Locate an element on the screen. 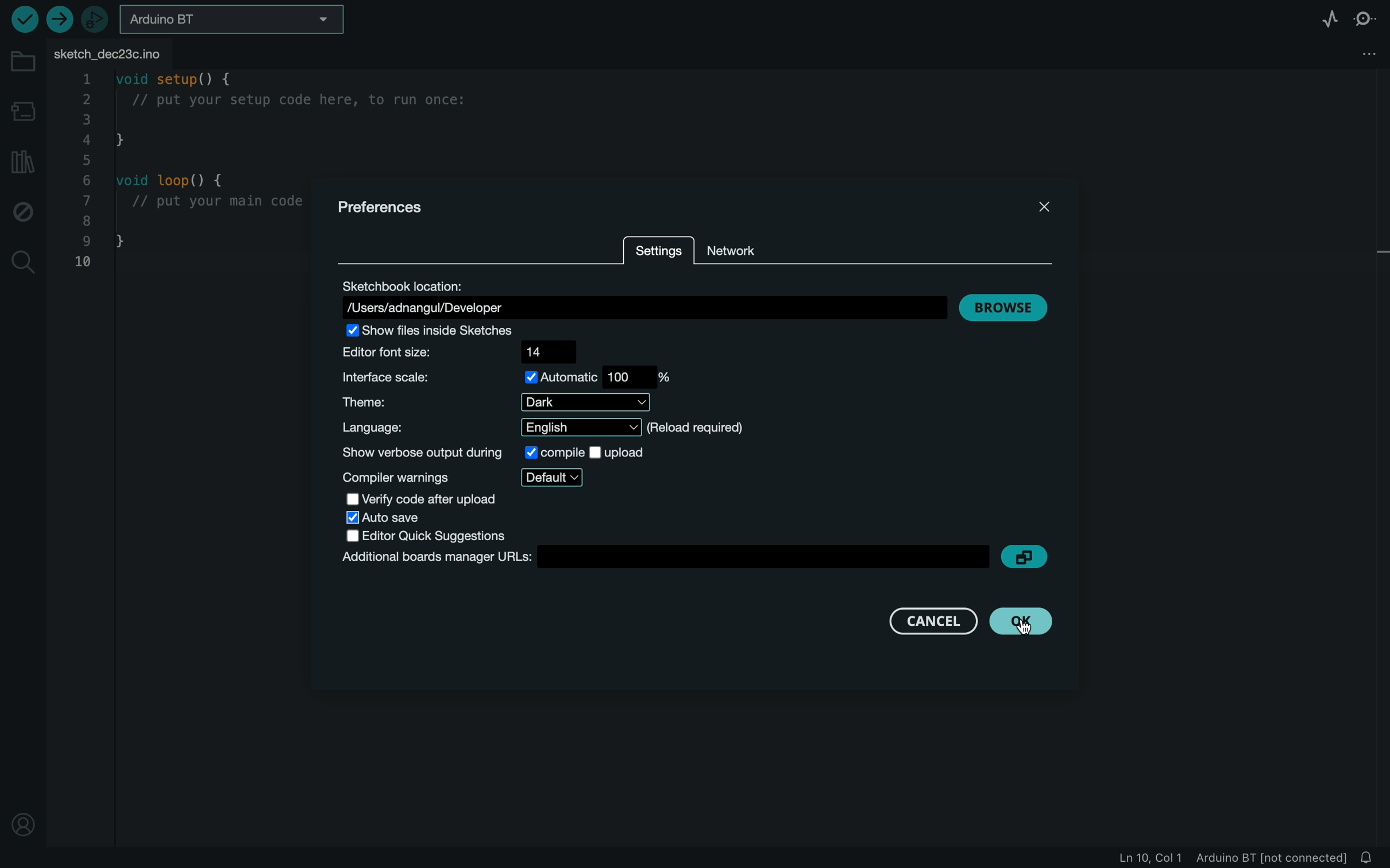 The width and height of the screenshot is (1390, 868). close is located at coordinates (1042, 204).